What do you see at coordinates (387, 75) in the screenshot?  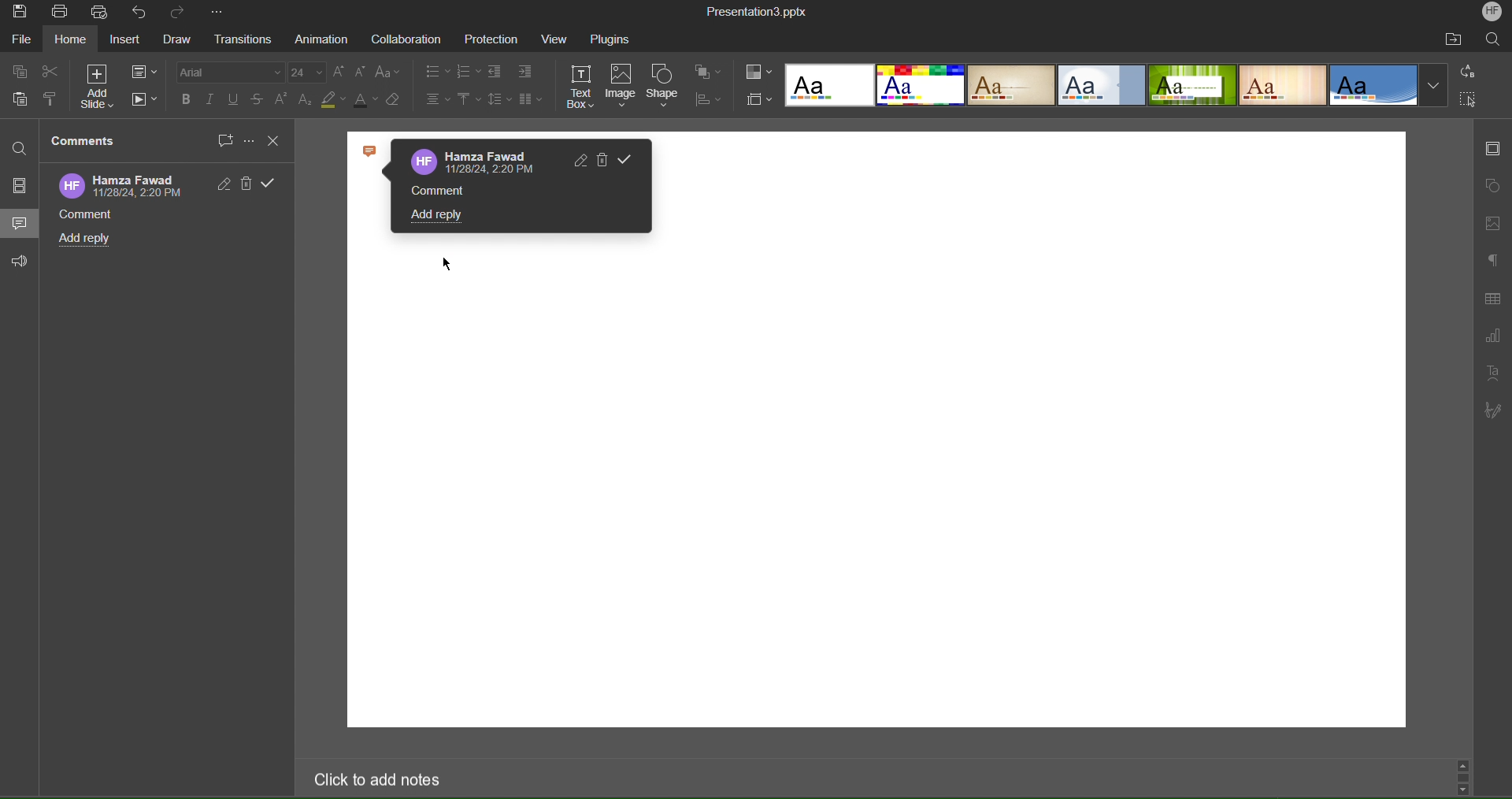 I see `Text Case Settings` at bounding box center [387, 75].